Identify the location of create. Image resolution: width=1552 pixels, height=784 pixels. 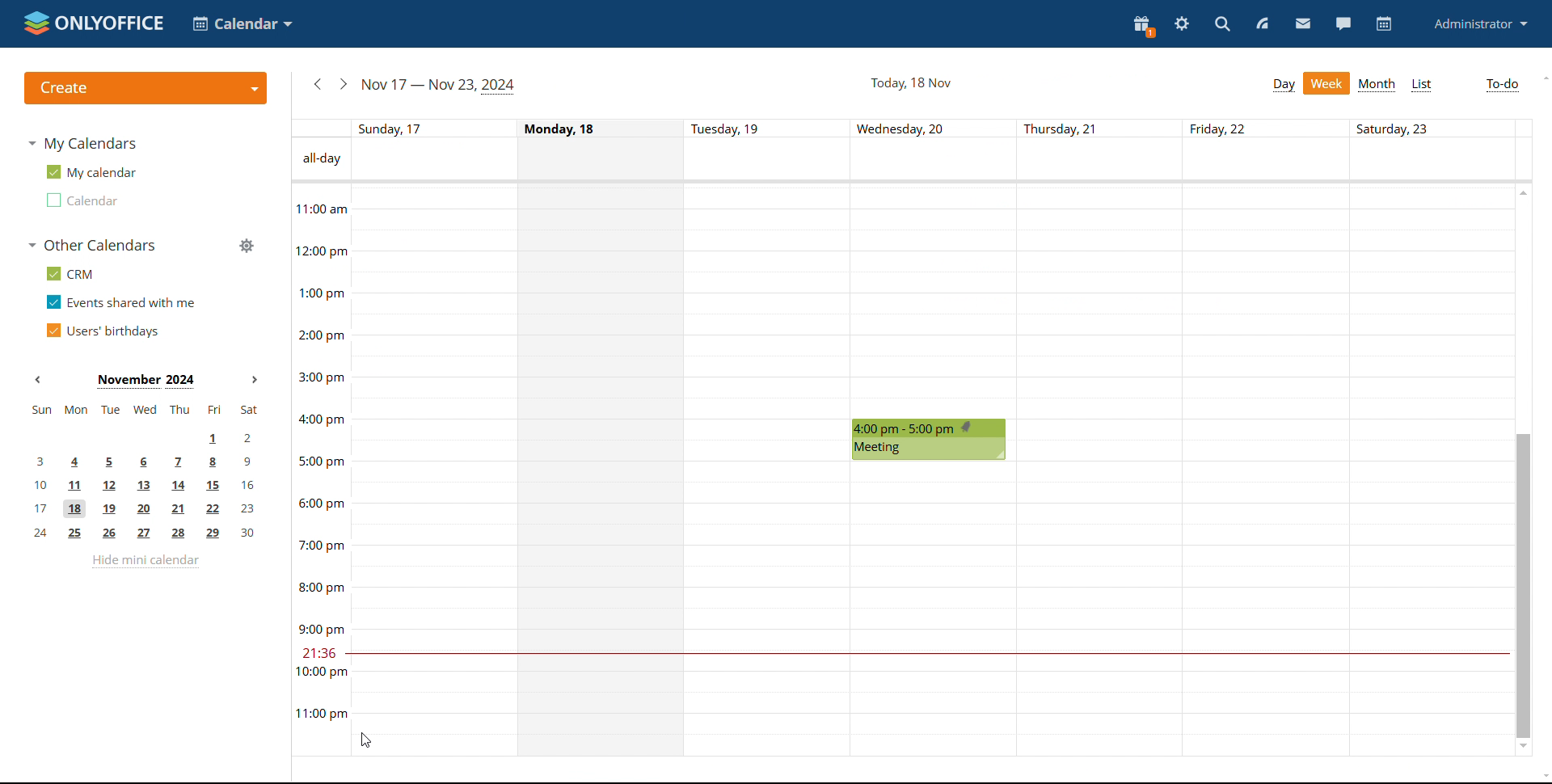
(145, 88).